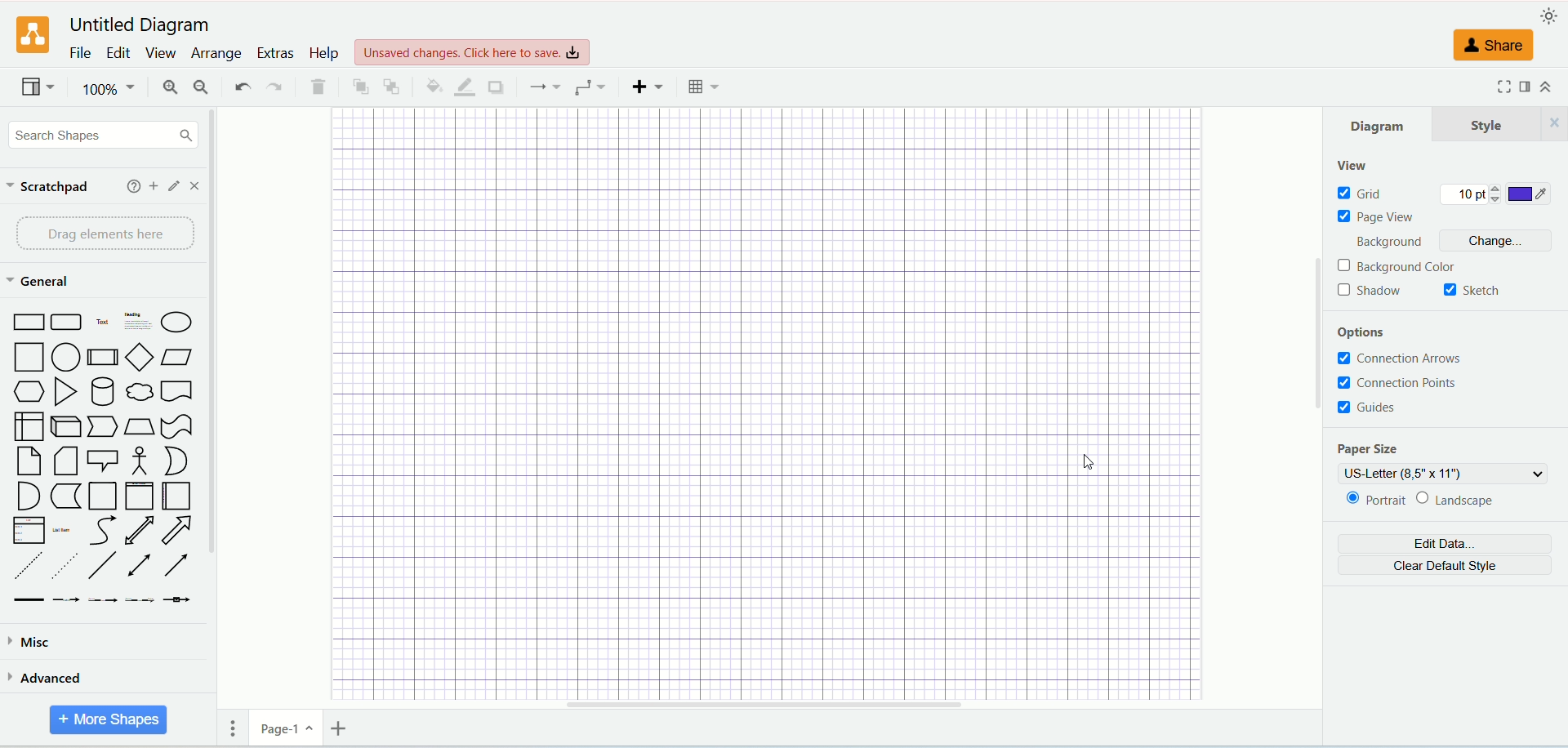 Image resolution: width=1568 pixels, height=748 pixels. What do you see at coordinates (102, 463) in the screenshot?
I see `Callout` at bounding box center [102, 463].